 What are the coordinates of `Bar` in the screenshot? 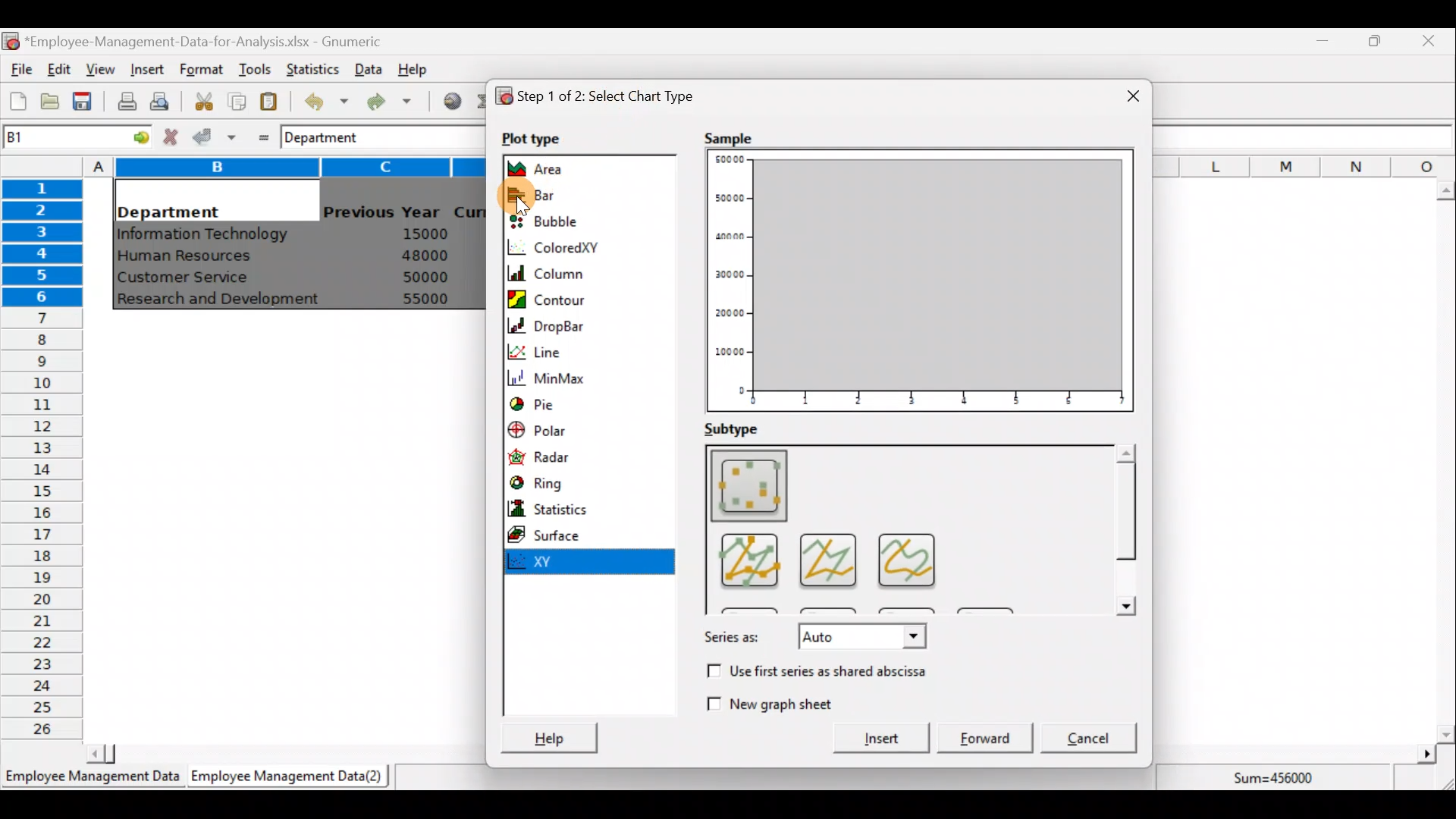 It's located at (565, 194).